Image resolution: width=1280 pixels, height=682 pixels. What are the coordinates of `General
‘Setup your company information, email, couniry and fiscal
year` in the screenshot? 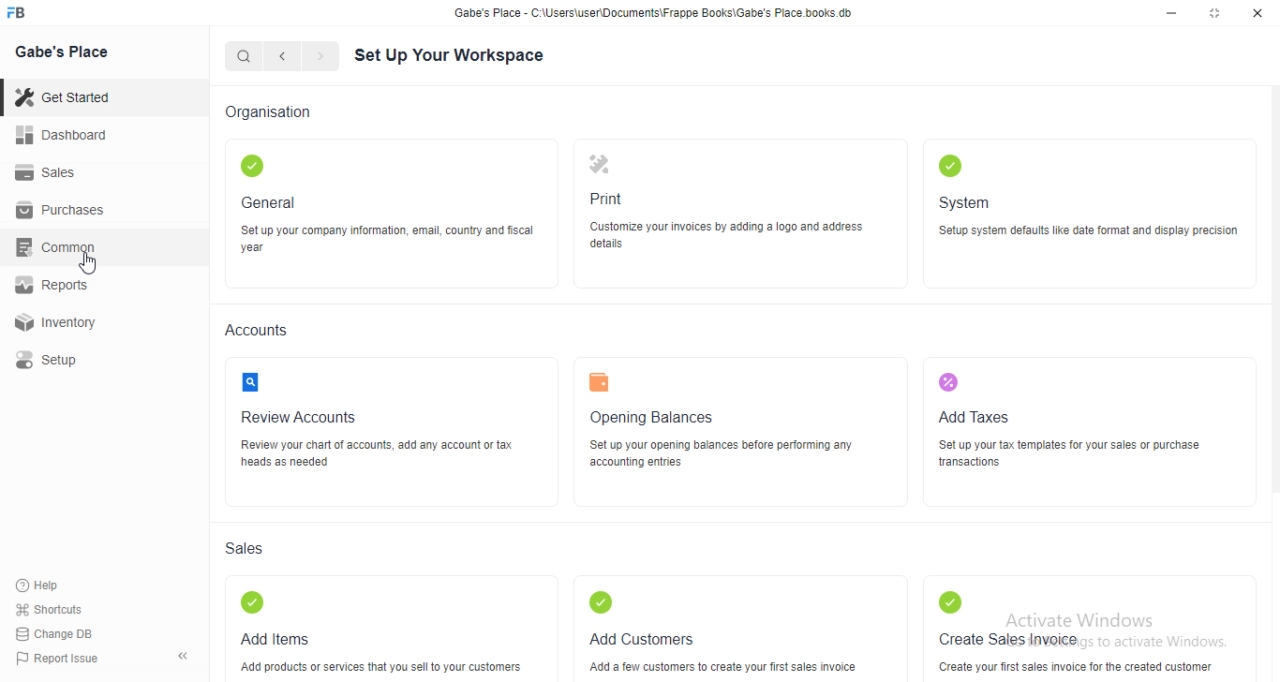 It's located at (388, 204).